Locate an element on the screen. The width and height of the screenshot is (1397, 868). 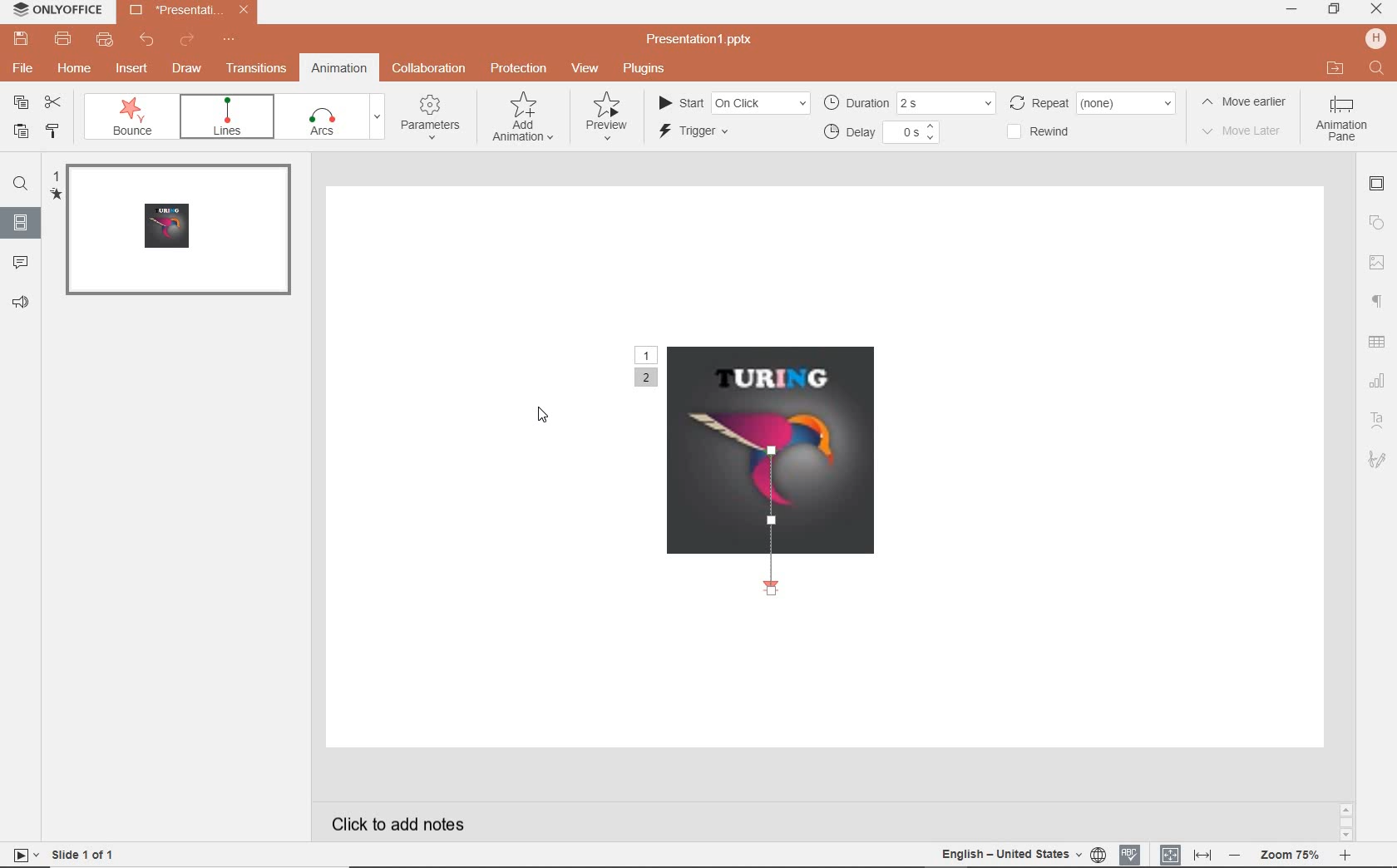
search is located at coordinates (1373, 69).